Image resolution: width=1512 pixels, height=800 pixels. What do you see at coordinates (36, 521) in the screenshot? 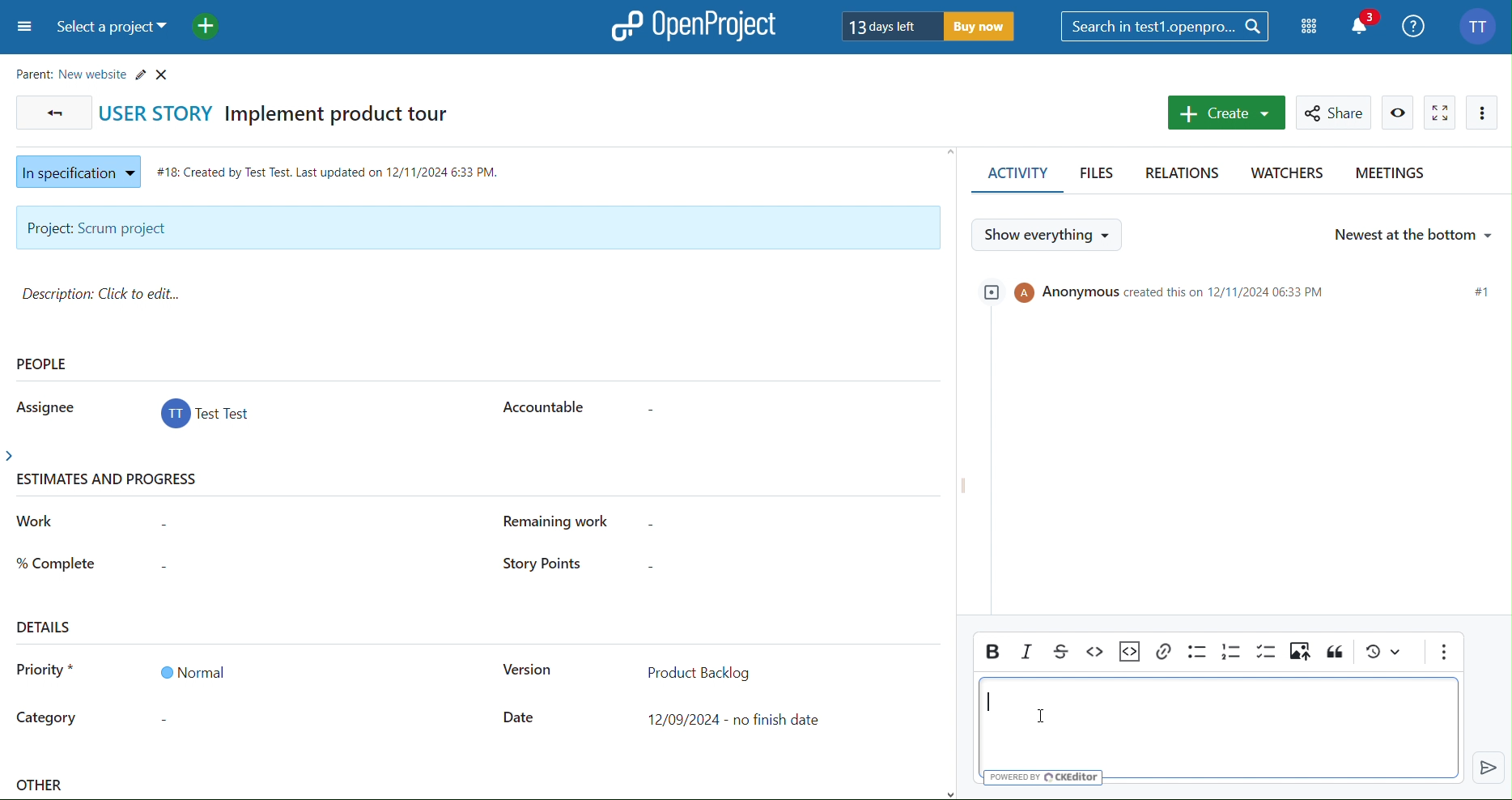
I see `Work` at bounding box center [36, 521].